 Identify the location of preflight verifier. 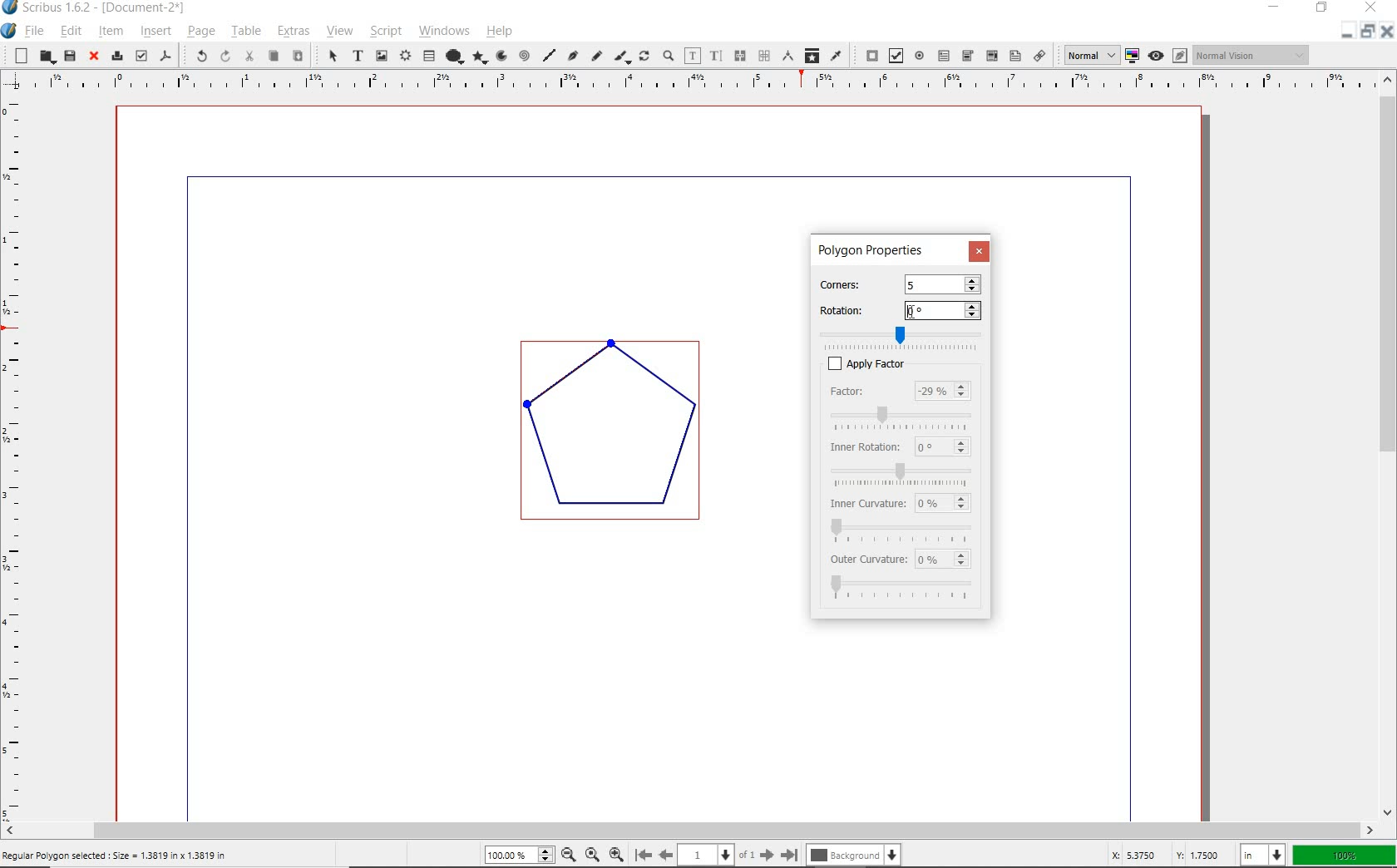
(141, 55).